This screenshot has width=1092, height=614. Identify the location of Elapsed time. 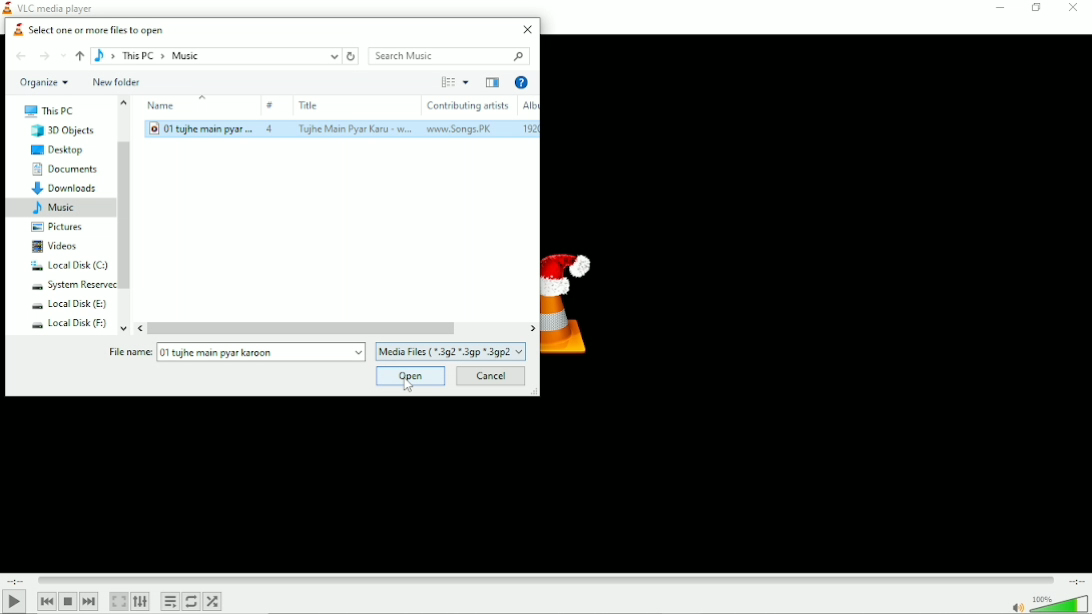
(15, 580).